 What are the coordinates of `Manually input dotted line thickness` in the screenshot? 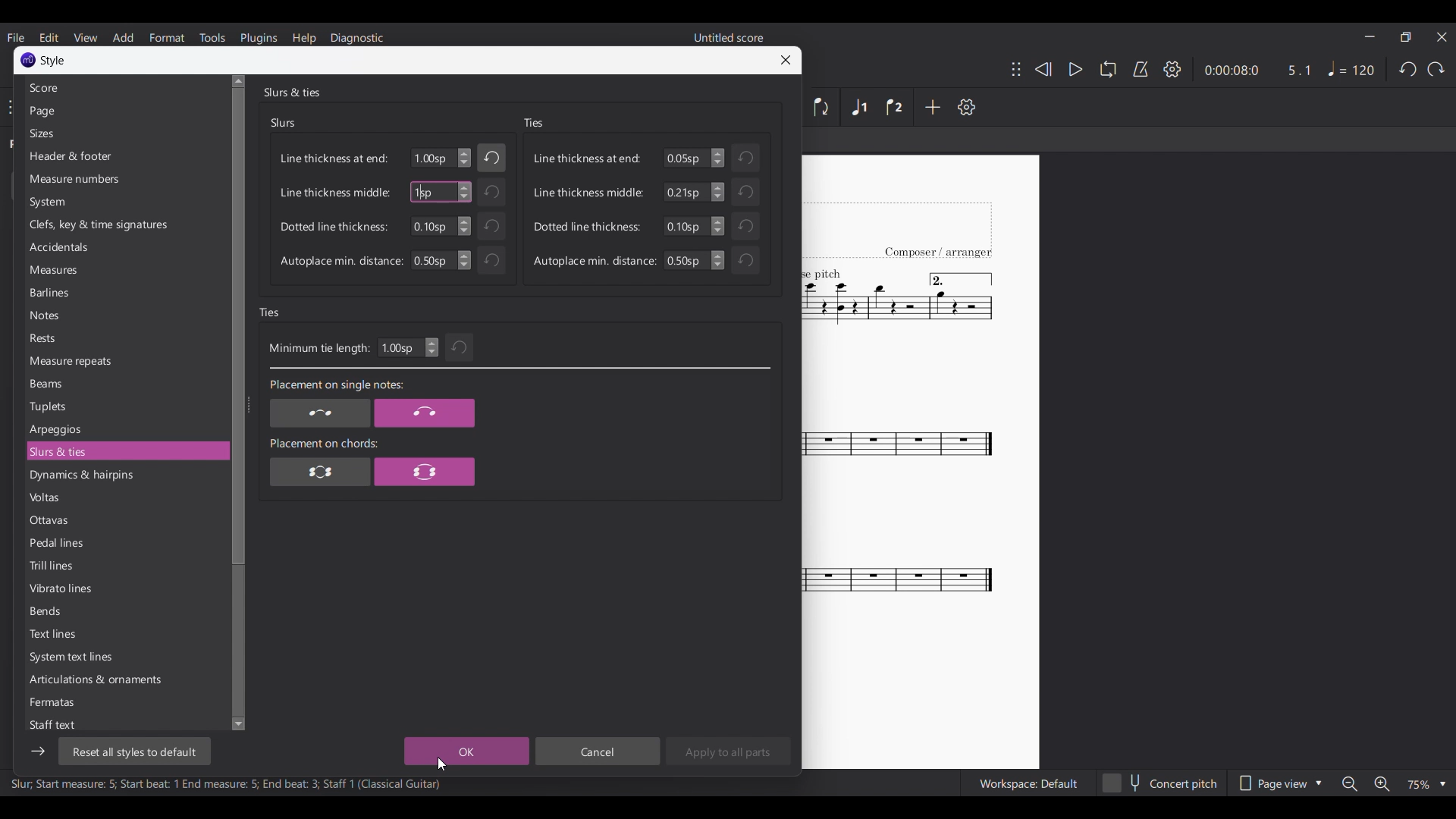 It's located at (431, 226).